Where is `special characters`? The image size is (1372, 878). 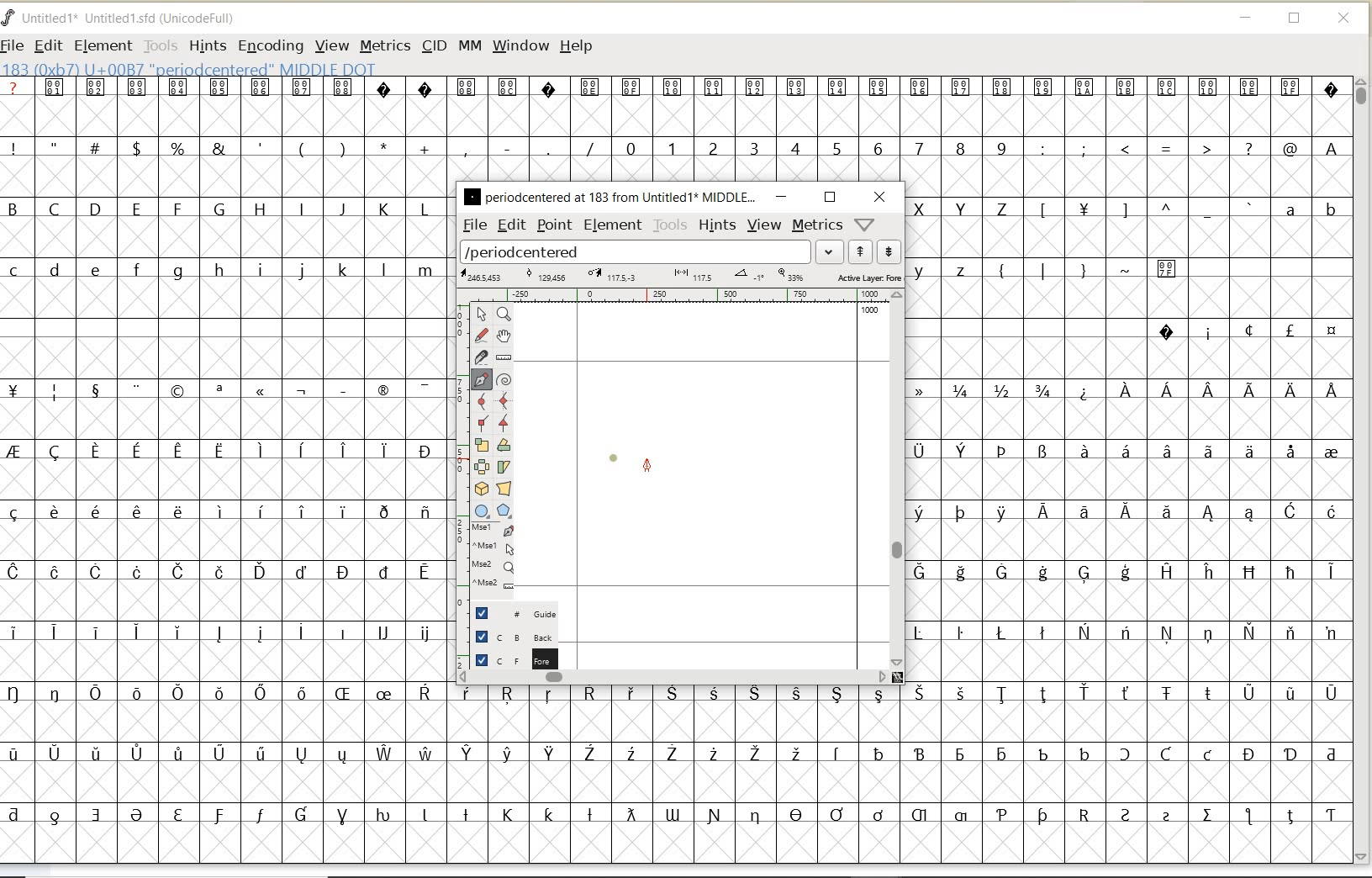
special characters is located at coordinates (1131, 526).